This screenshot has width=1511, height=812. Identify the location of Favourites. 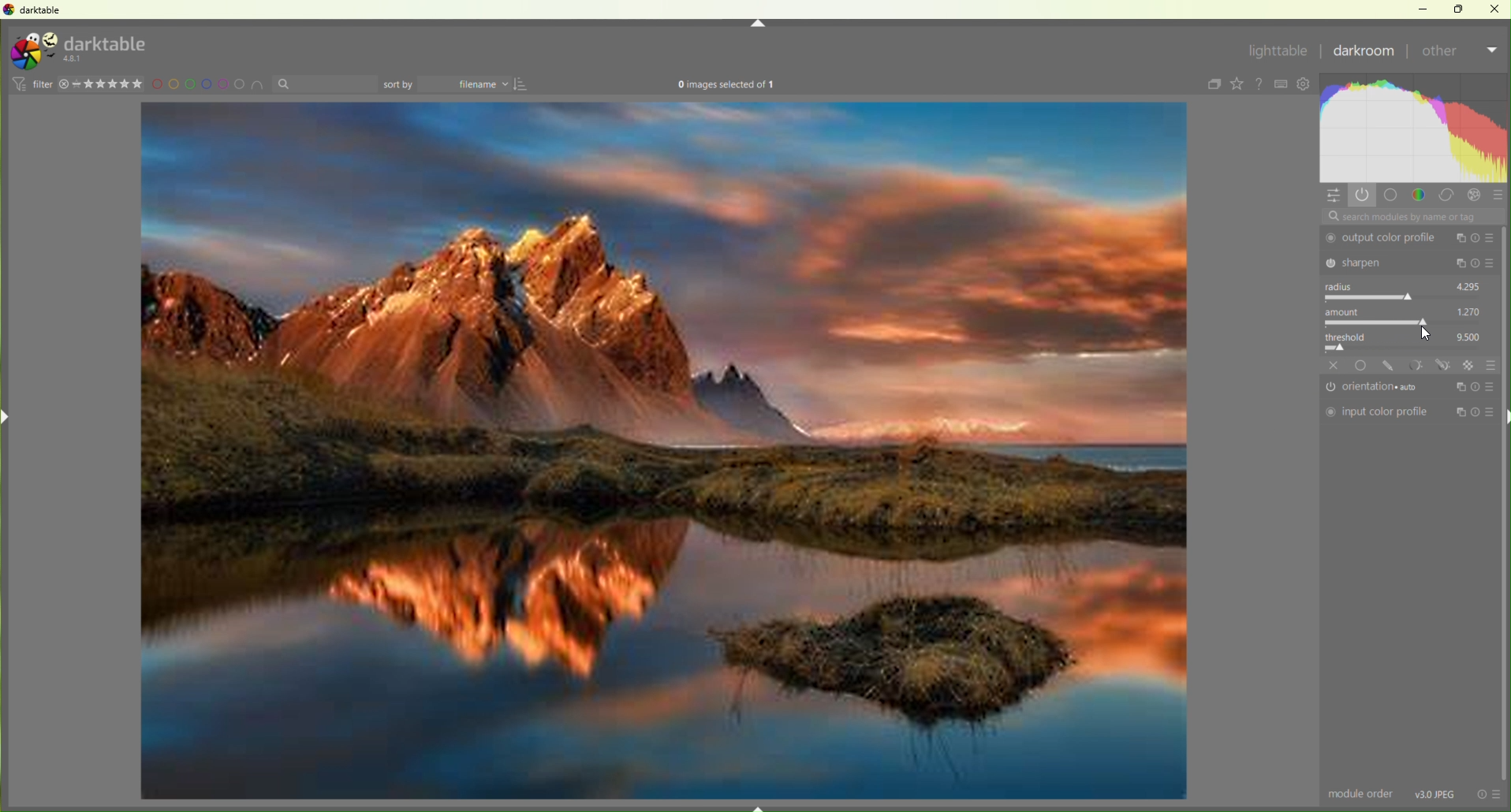
(1237, 84).